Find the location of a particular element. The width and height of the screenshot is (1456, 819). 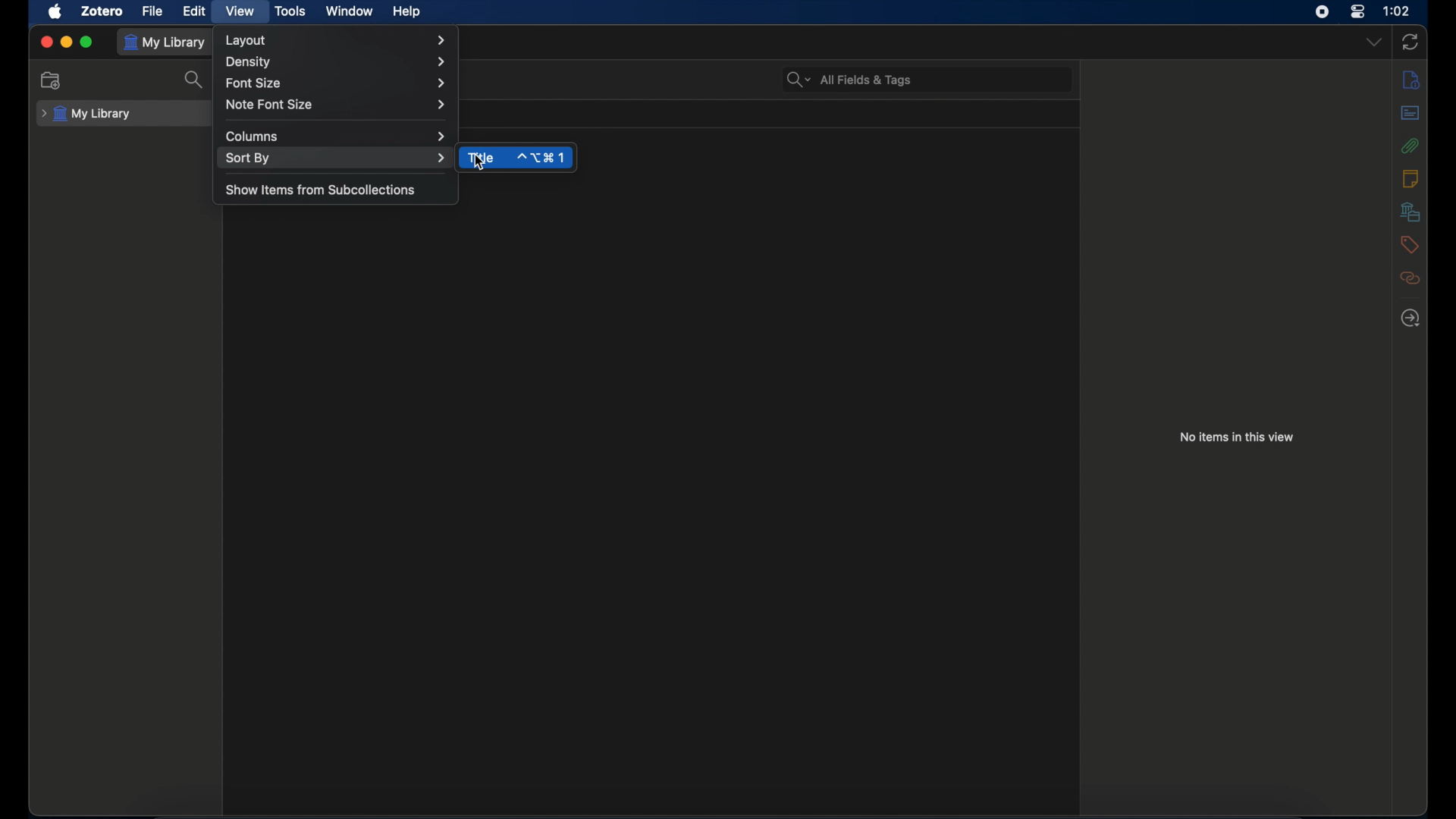

my library is located at coordinates (86, 115).